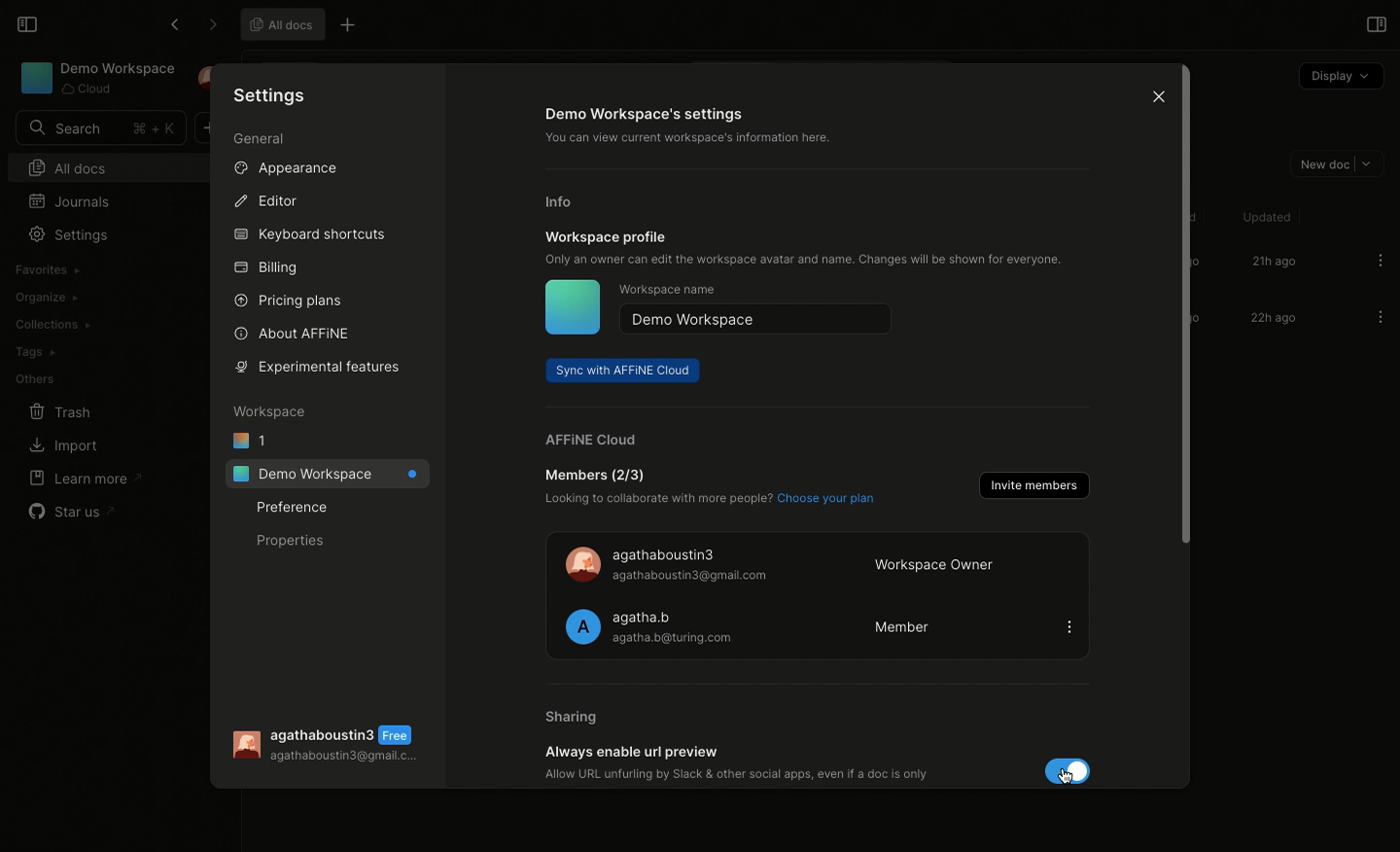 Image resolution: width=1400 pixels, height=852 pixels. I want to click on Demo workspace settings, so click(703, 126).